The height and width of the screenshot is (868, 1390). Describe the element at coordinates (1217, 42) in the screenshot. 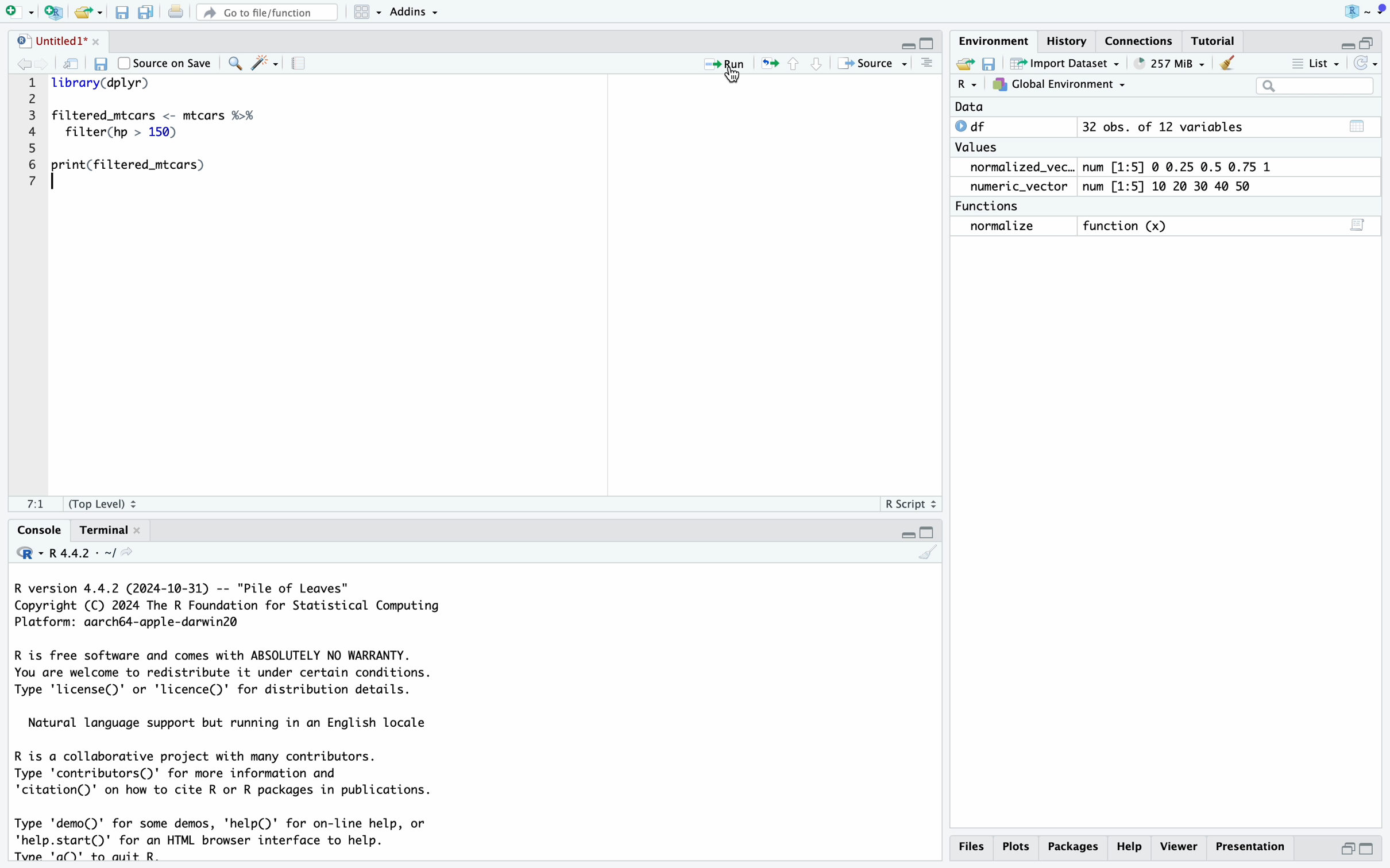

I see `Tutorial` at that location.